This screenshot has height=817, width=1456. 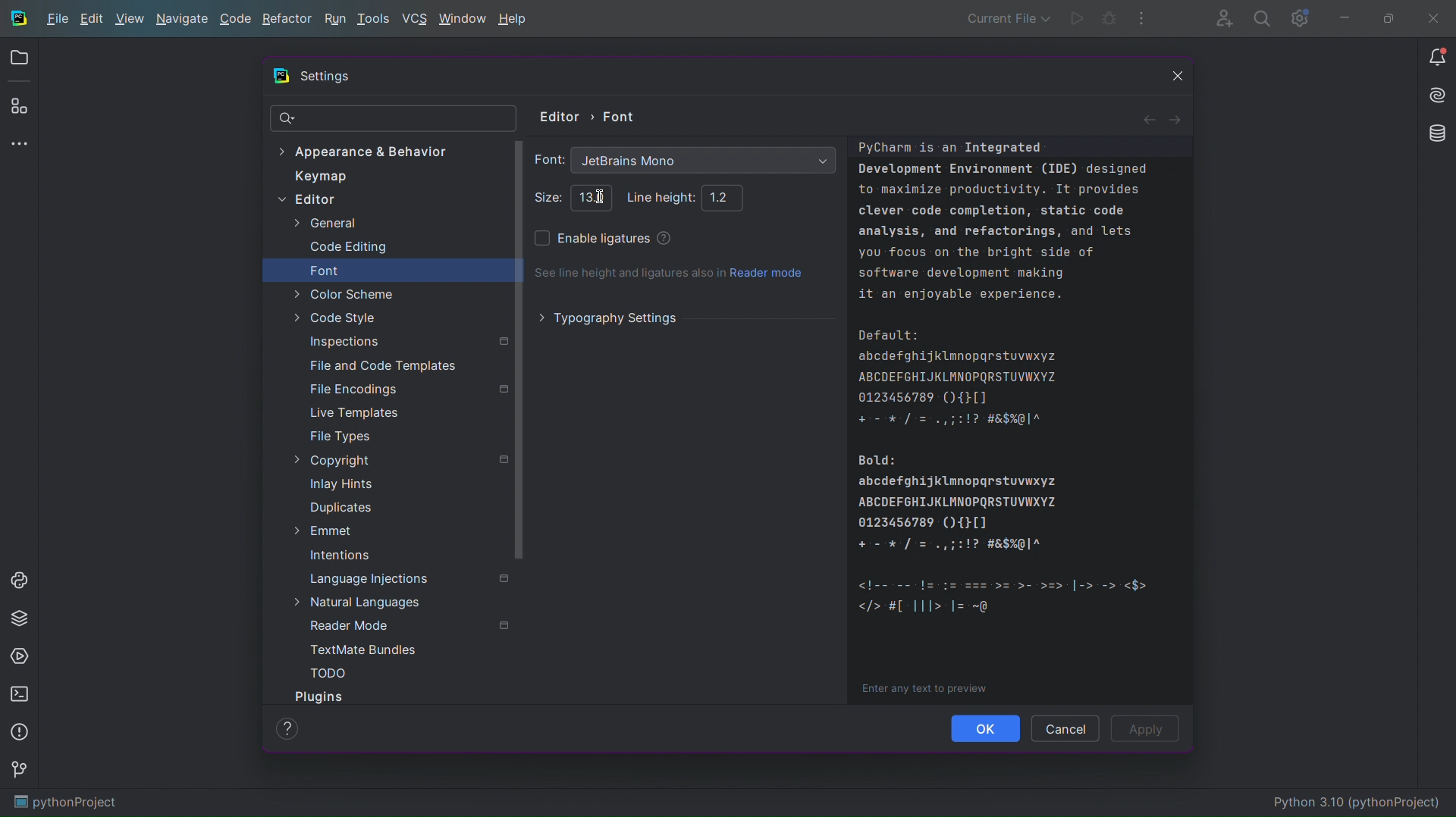 I want to click on Apply, so click(x=1149, y=729).